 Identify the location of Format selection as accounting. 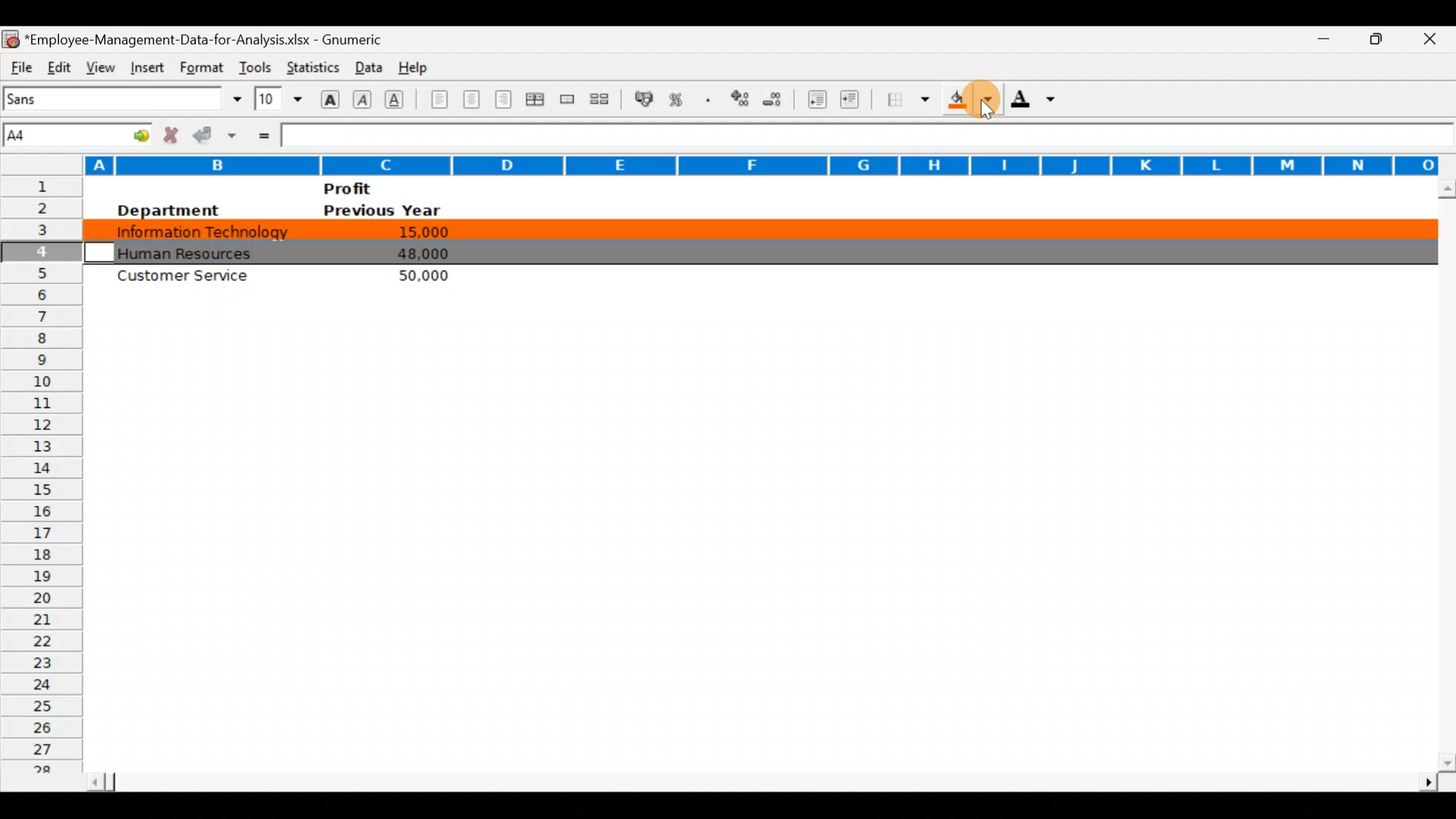
(645, 97).